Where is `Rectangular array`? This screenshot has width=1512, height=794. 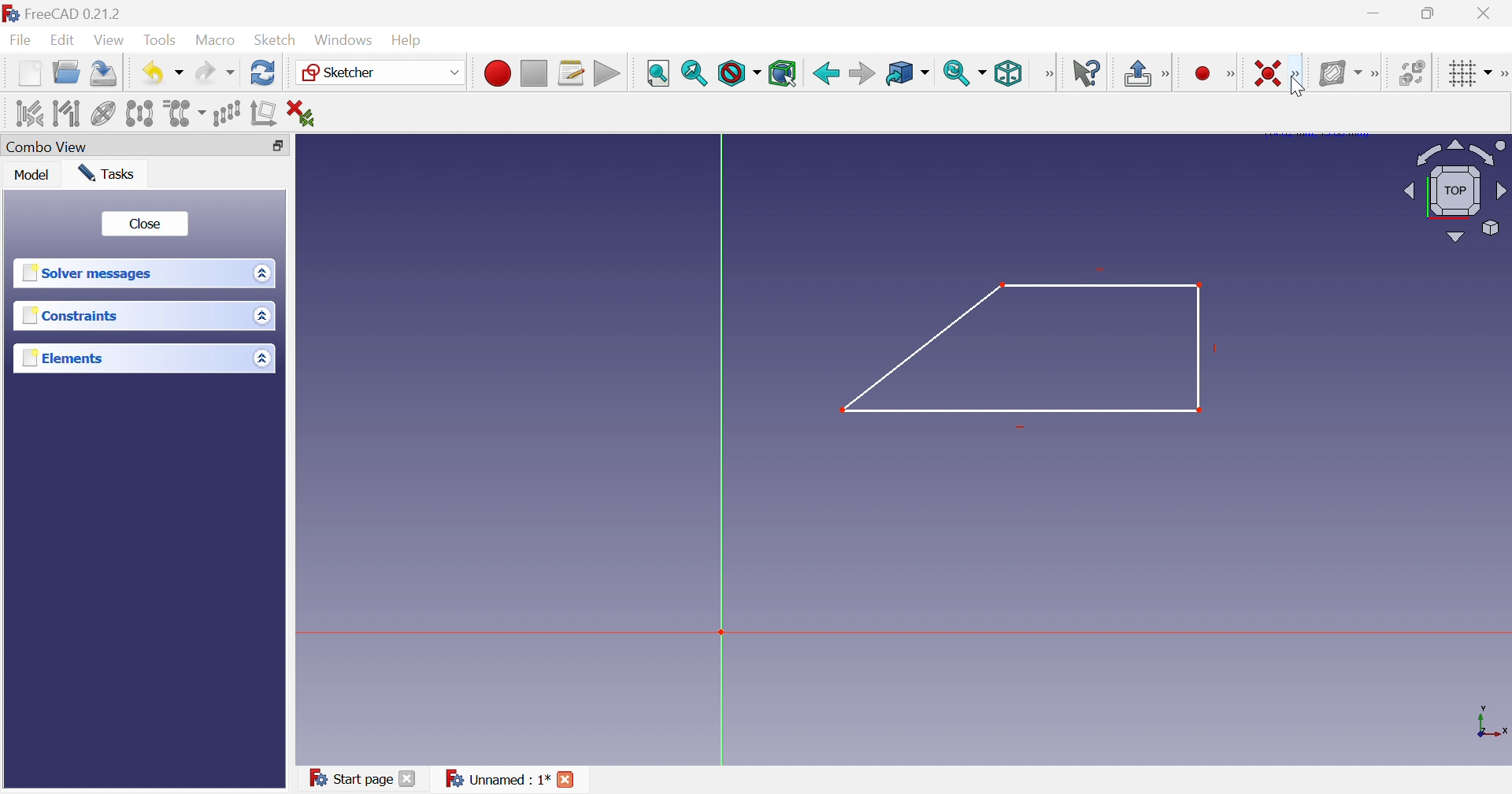 Rectangular array is located at coordinates (229, 114).